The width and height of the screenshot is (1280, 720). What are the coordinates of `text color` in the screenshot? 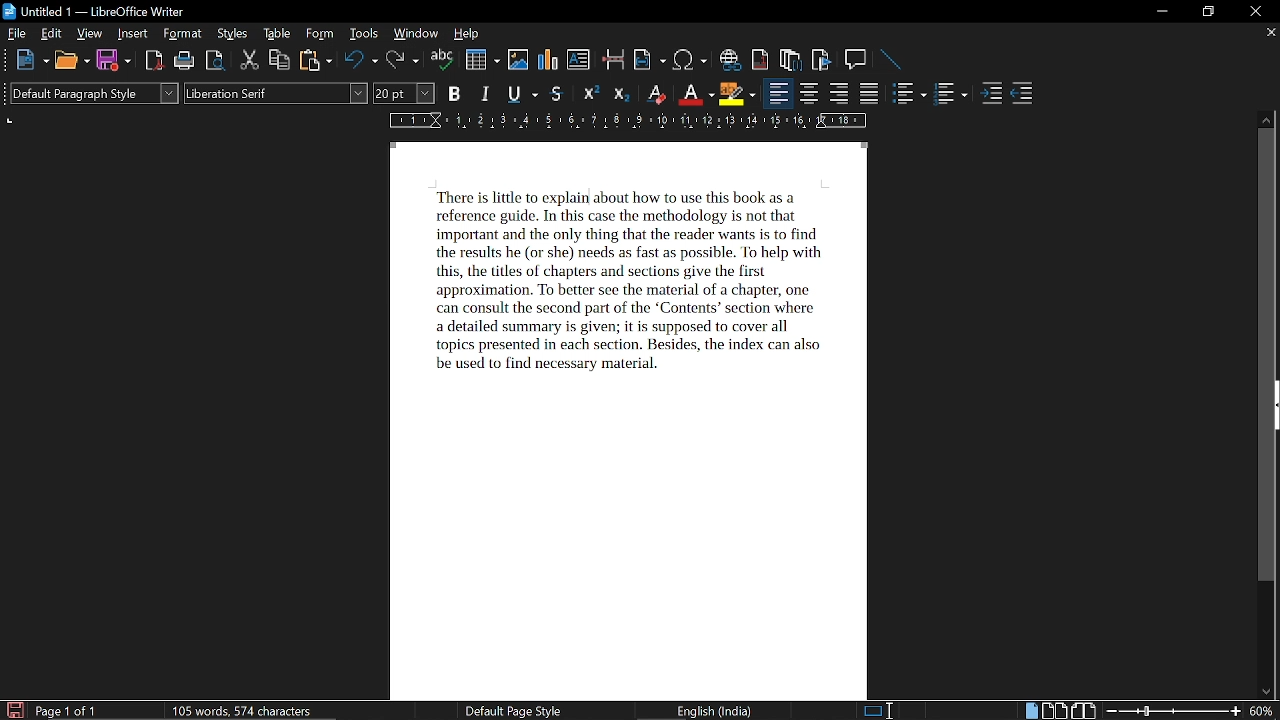 It's located at (696, 95).